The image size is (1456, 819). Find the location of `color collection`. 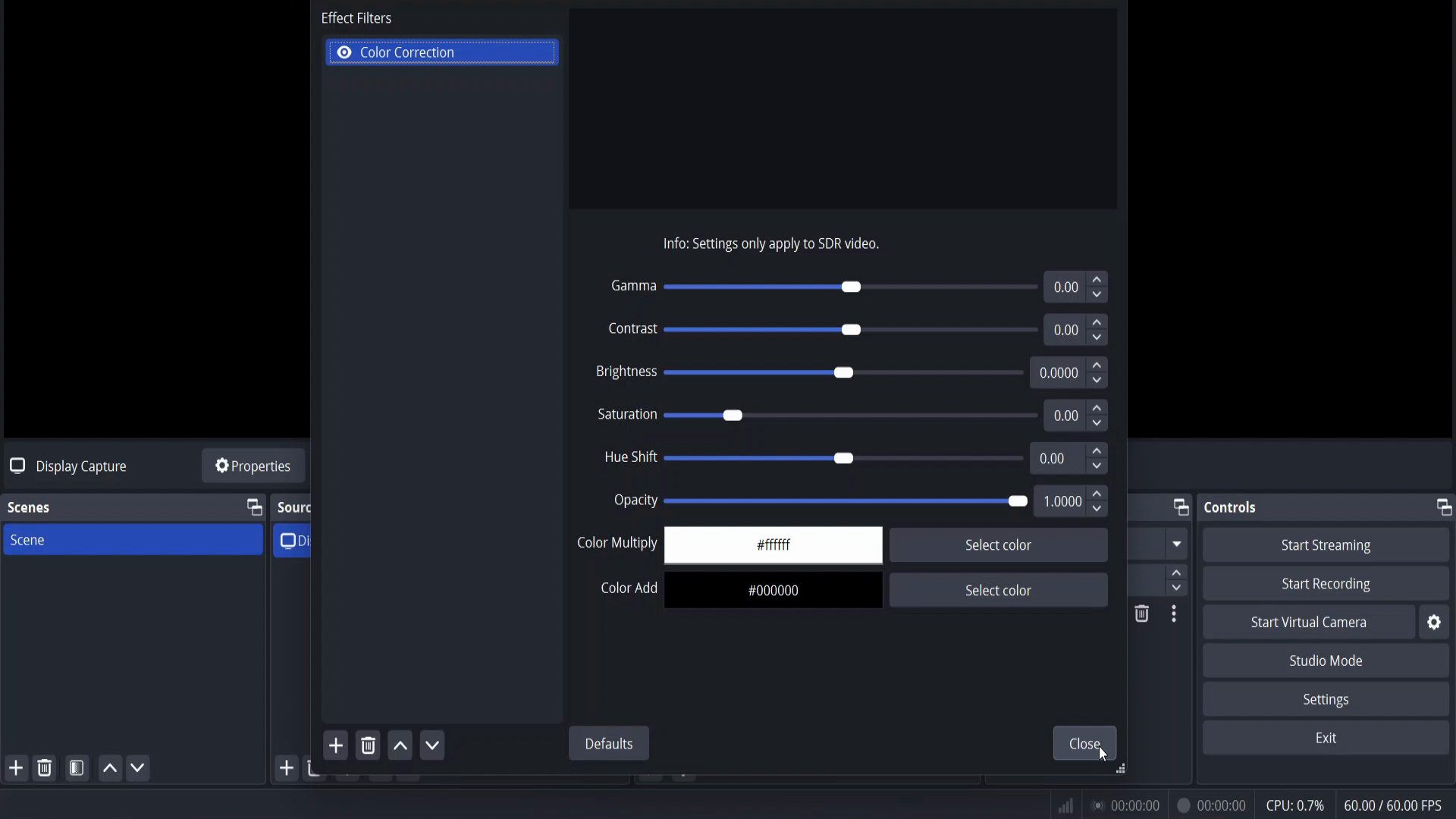

color collection is located at coordinates (412, 52).